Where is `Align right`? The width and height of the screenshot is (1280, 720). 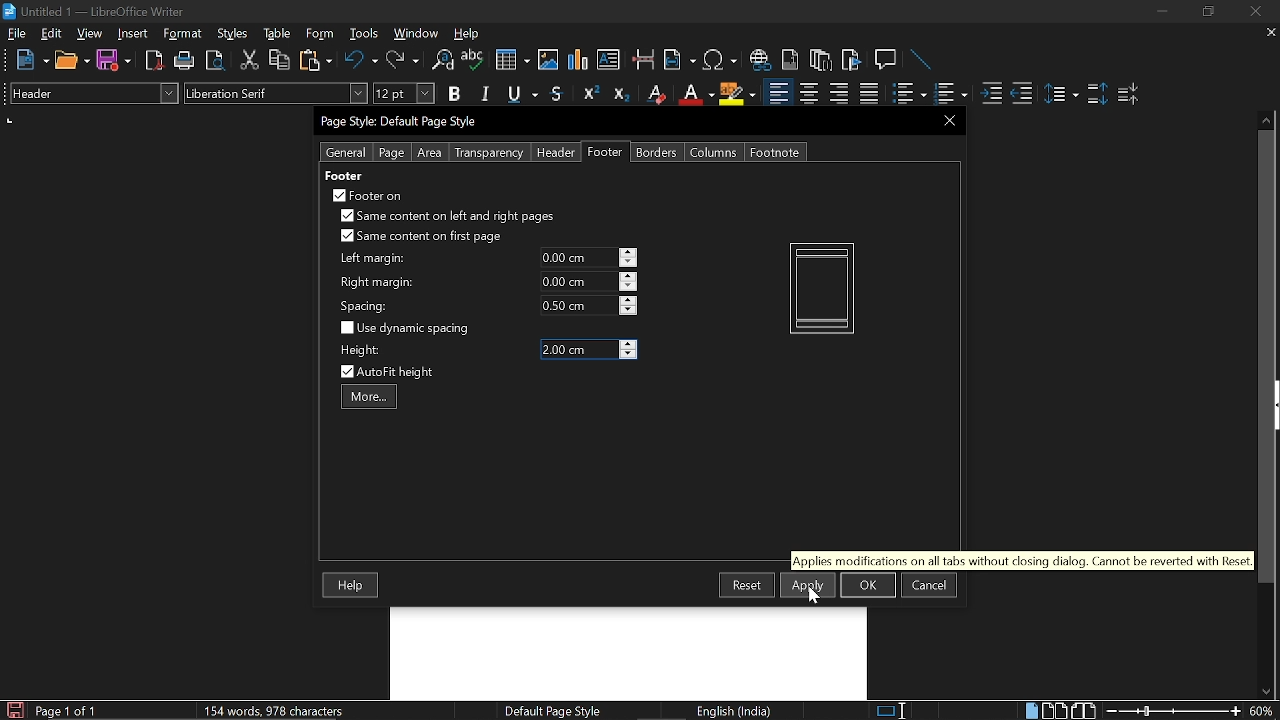 Align right is located at coordinates (841, 93).